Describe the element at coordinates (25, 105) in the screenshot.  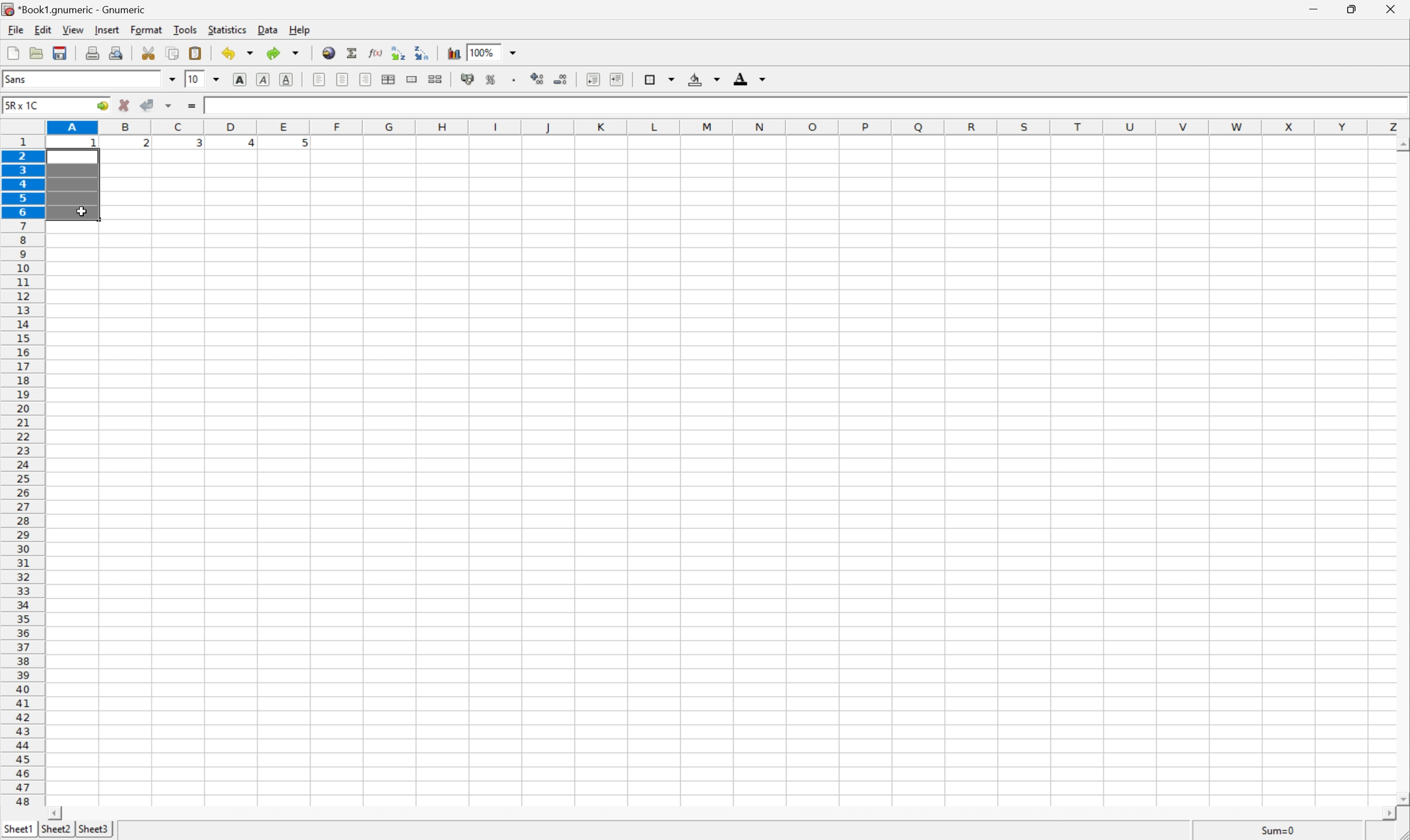
I see `5R*1C` at that location.